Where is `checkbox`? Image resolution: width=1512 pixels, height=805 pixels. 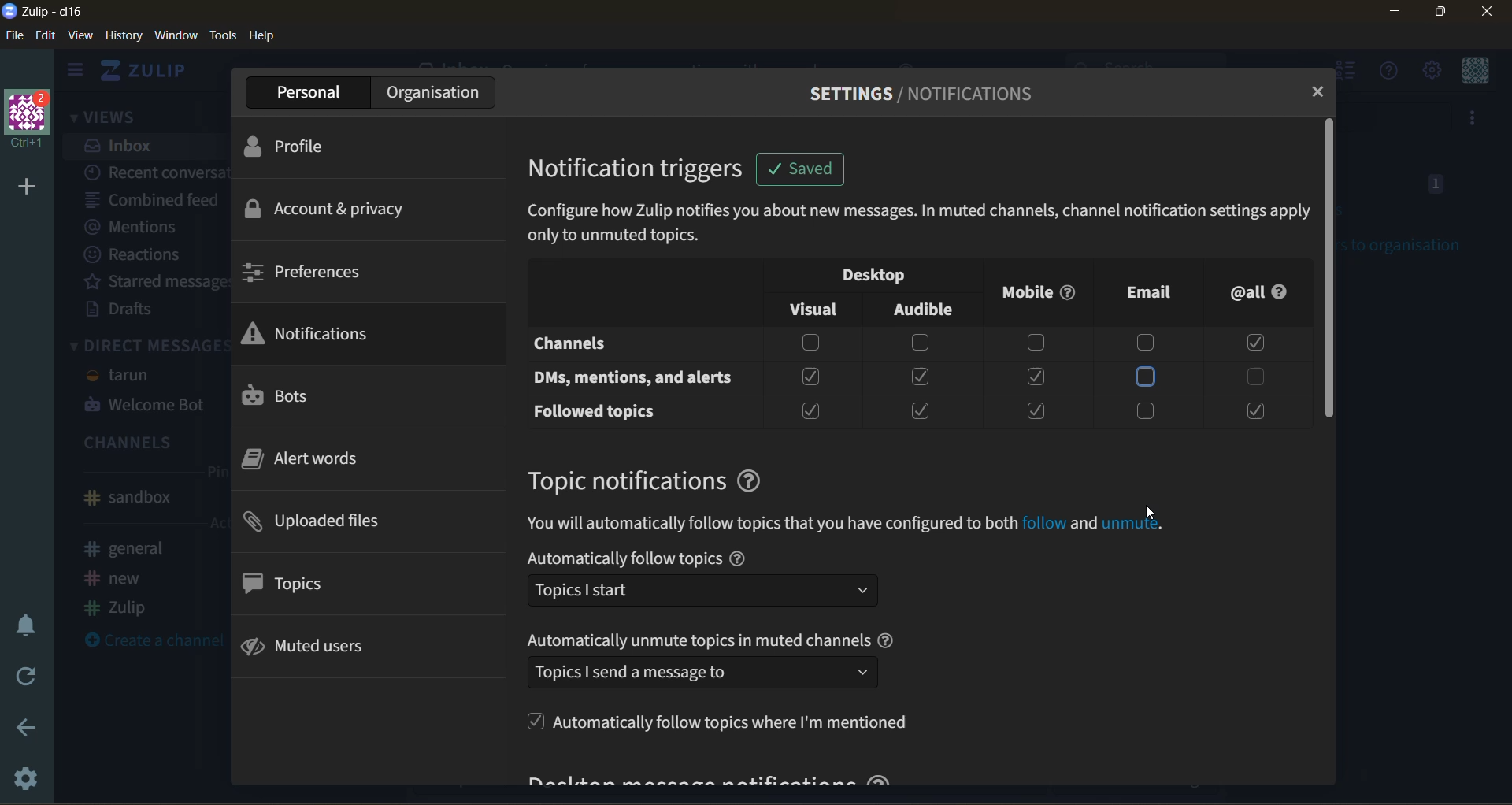
checkbox is located at coordinates (1149, 341).